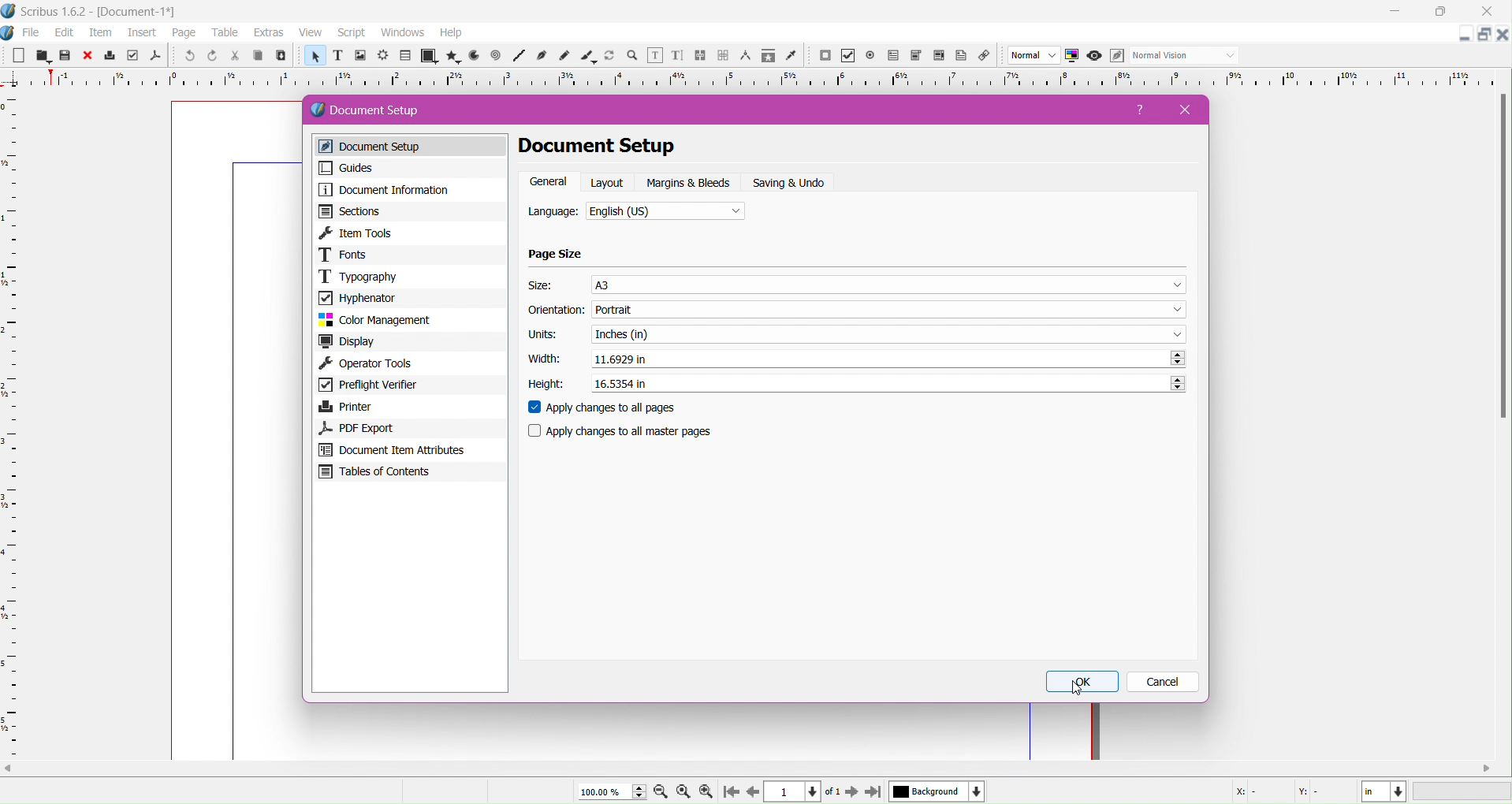  Describe the element at coordinates (888, 359) in the screenshot. I see `Set the Width` at that location.